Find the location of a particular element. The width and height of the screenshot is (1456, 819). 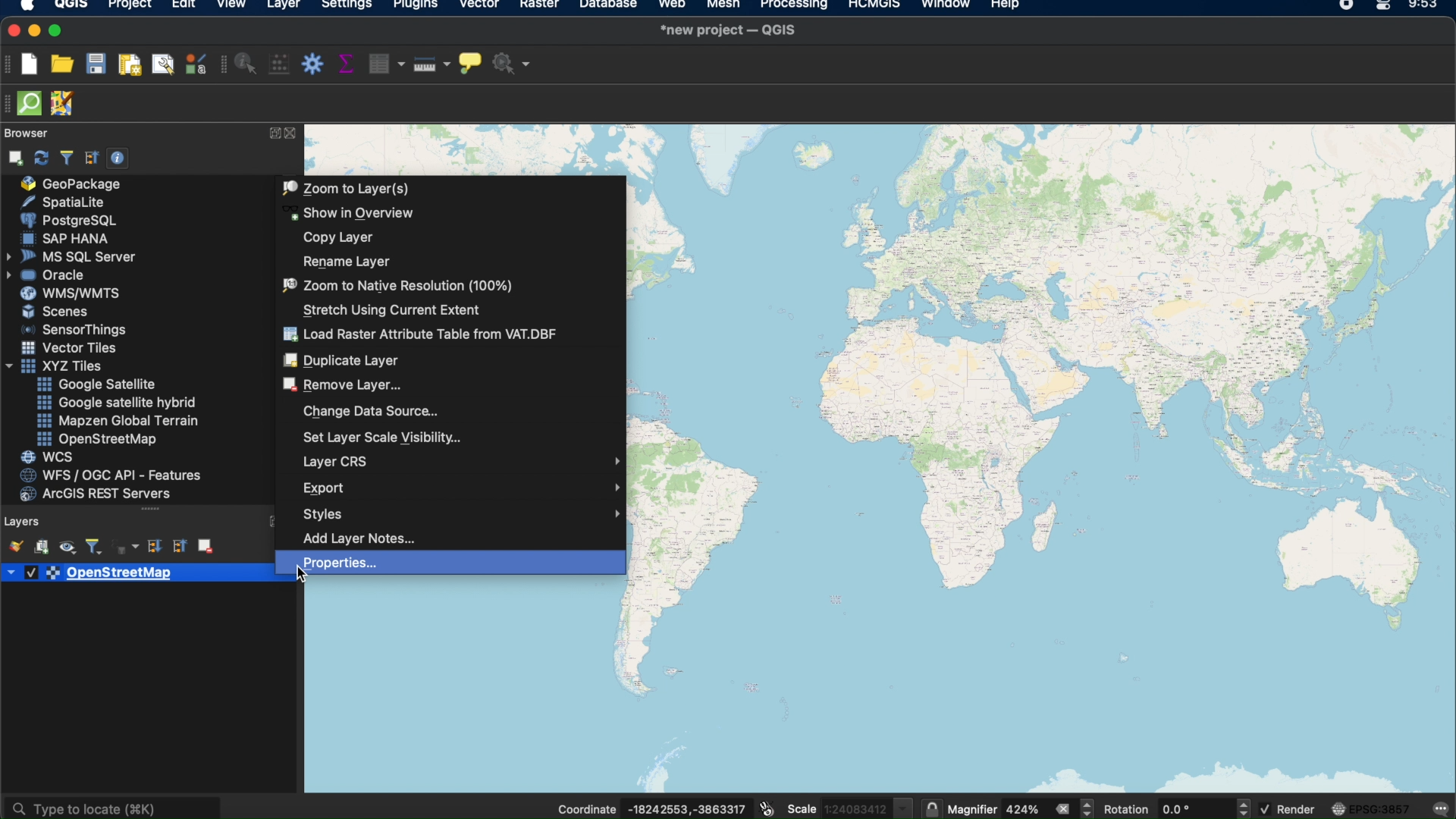

change data source is located at coordinates (372, 411).